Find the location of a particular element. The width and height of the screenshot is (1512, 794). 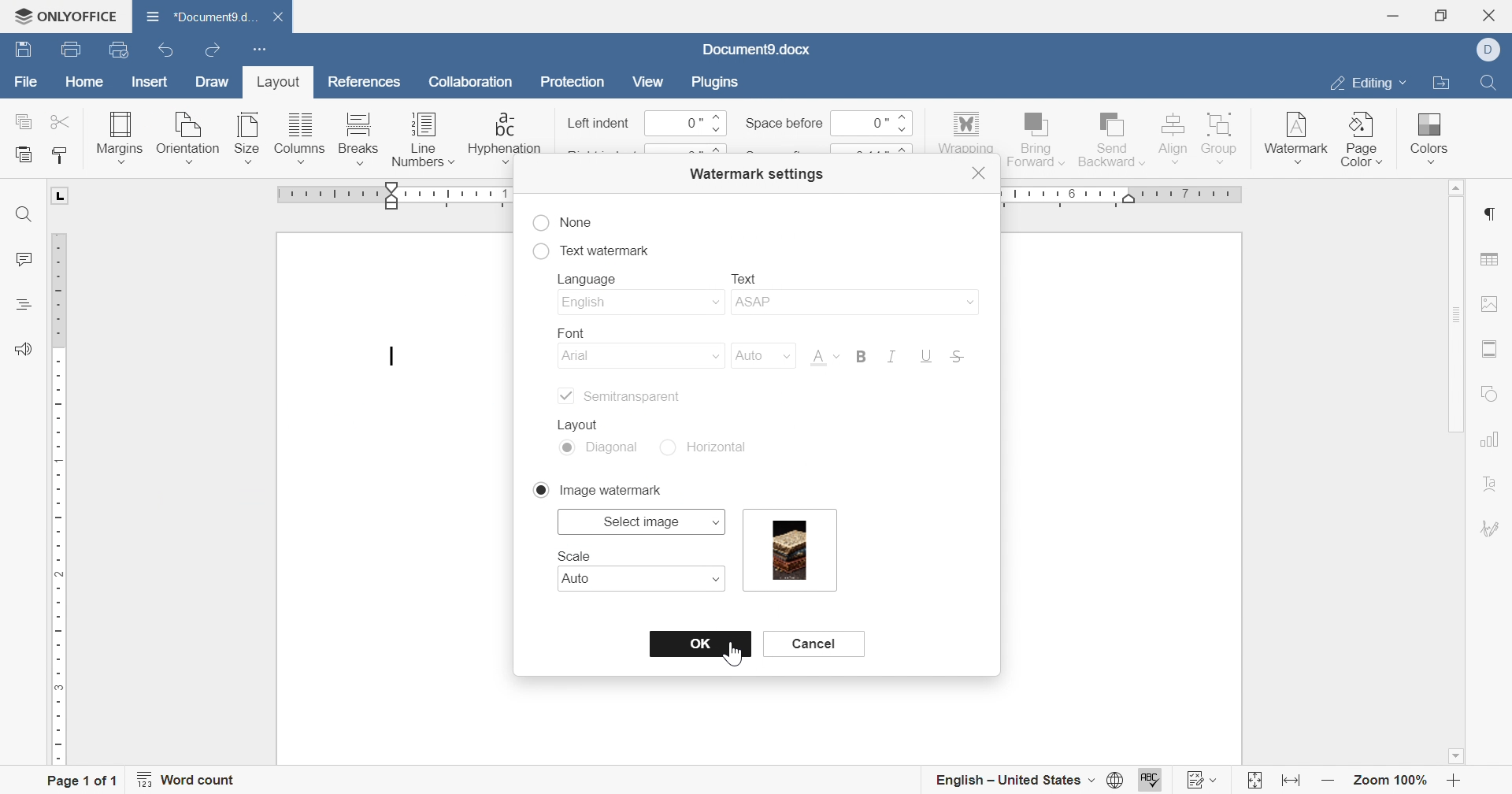

layout is located at coordinates (584, 422).